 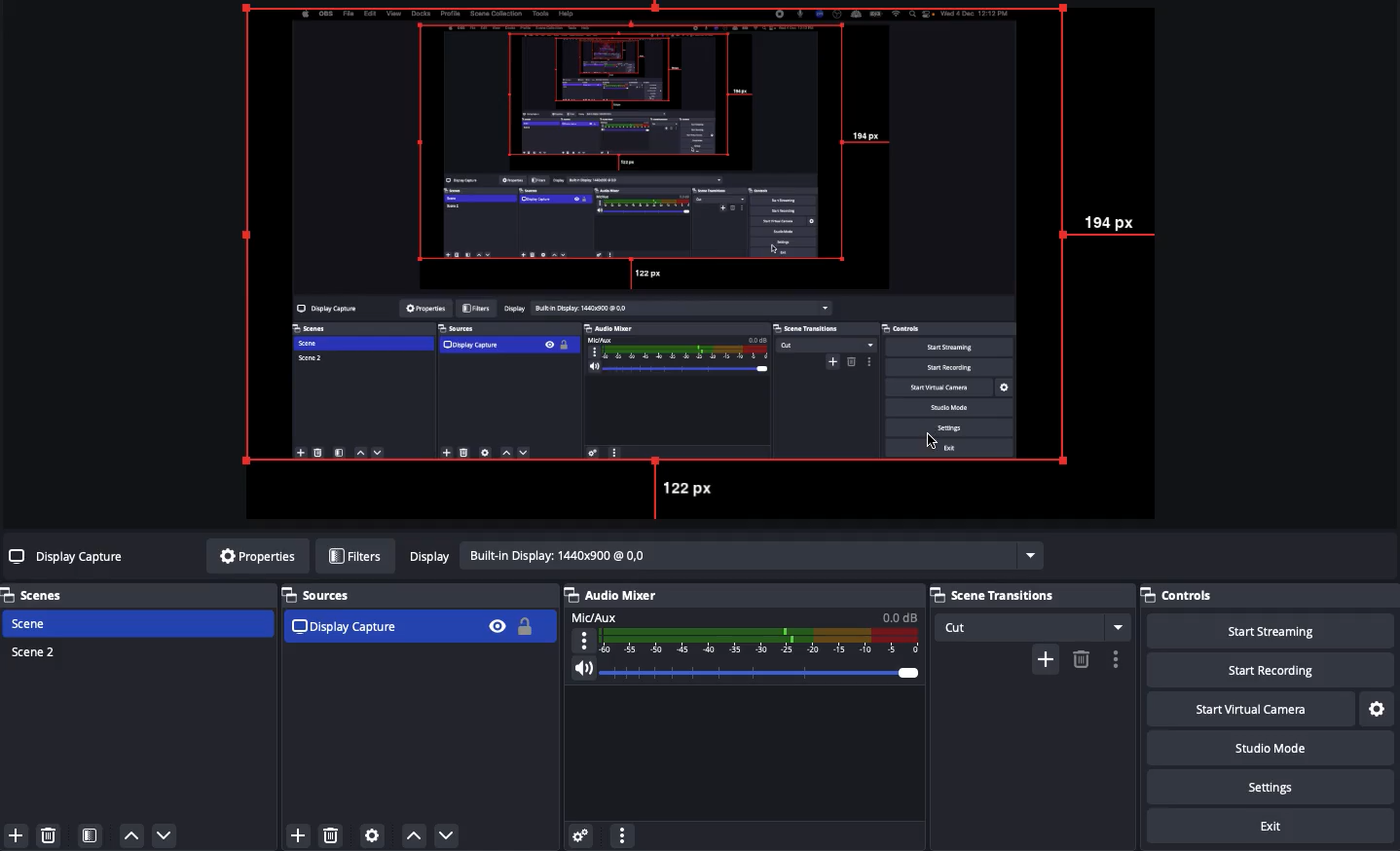 I want to click on 194 px, so click(x=1124, y=223).